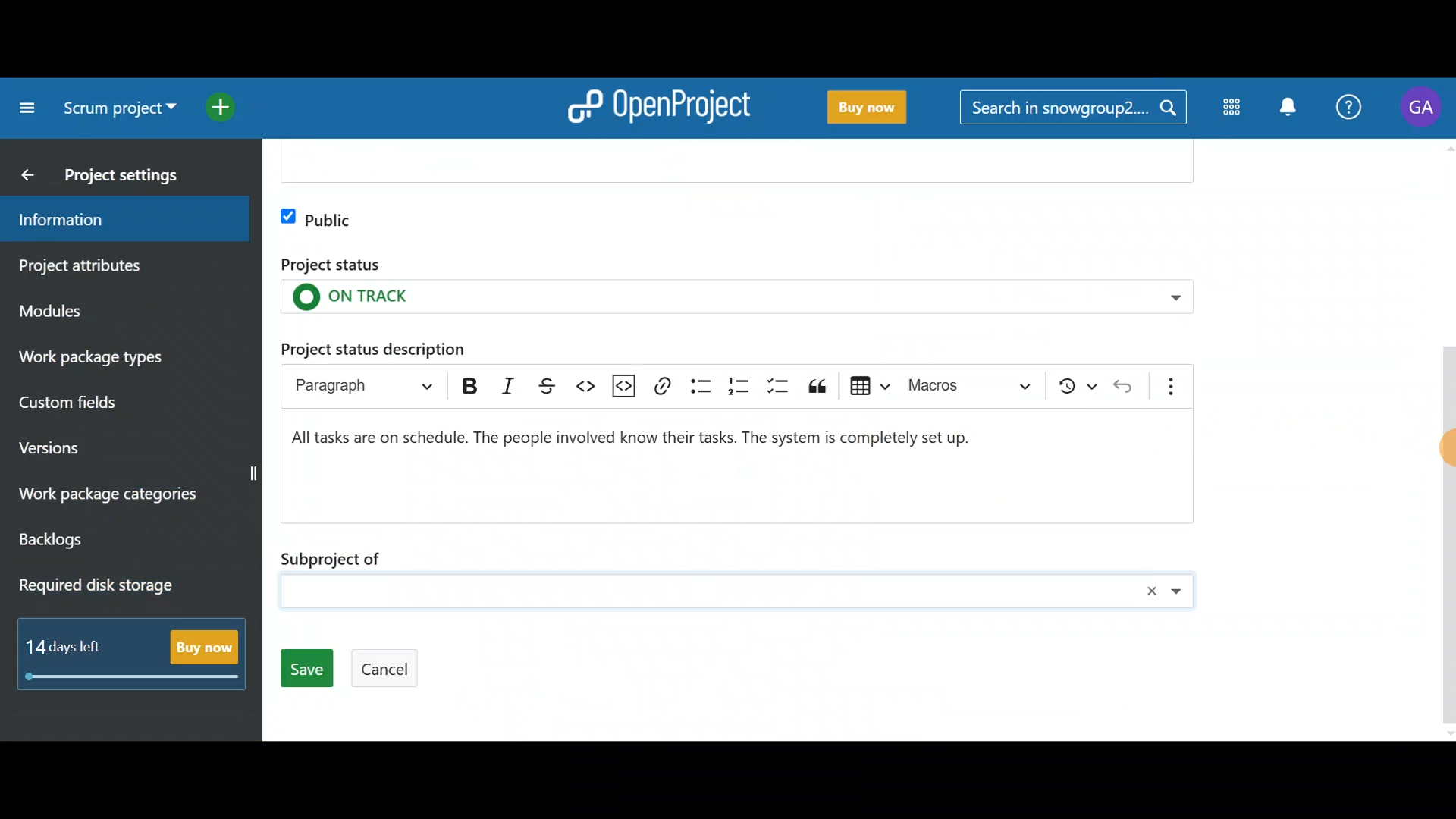  What do you see at coordinates (664, 105) in the screenshot?
I see `OpenProject` at bounding box center [664, 105].